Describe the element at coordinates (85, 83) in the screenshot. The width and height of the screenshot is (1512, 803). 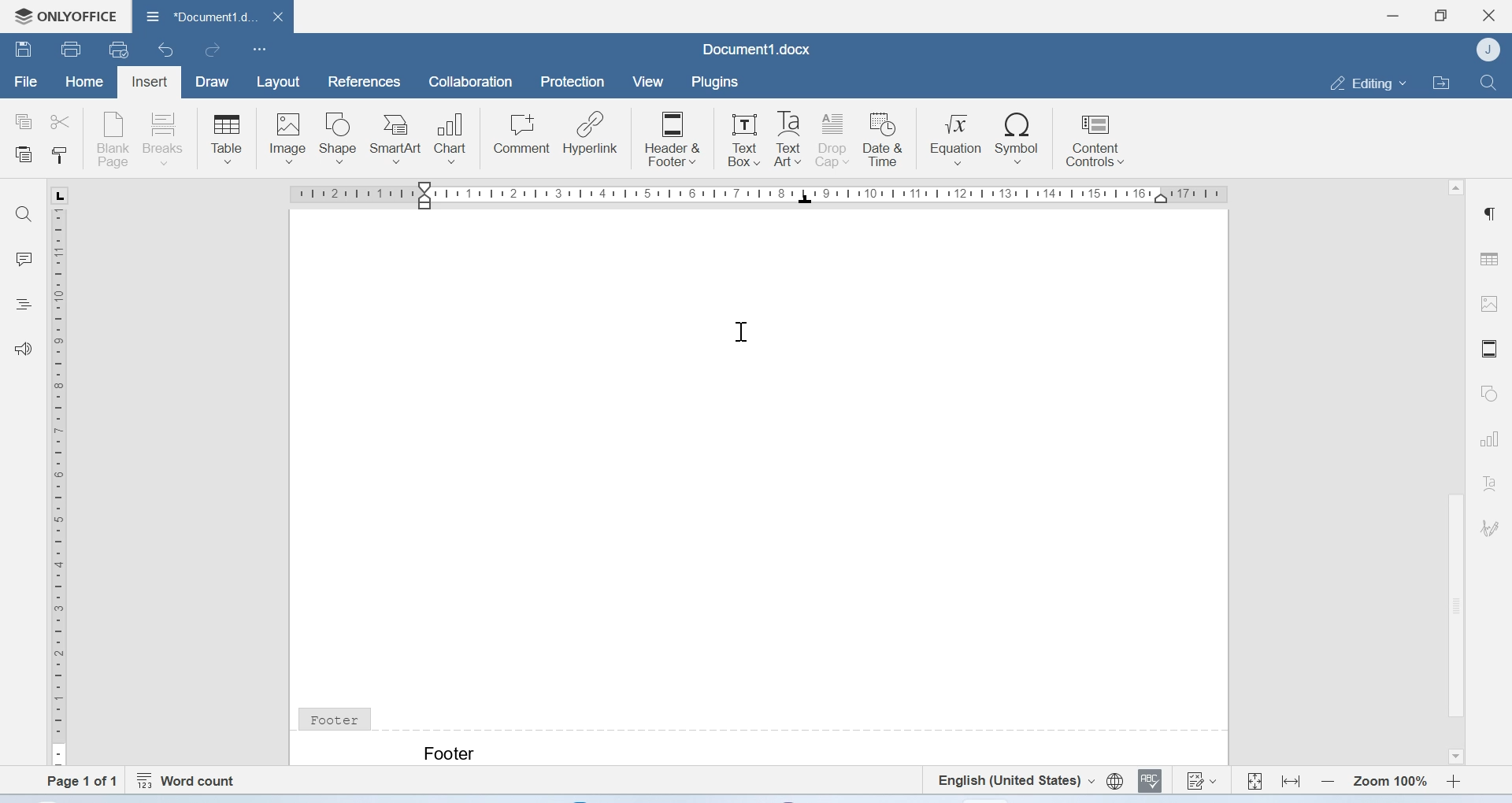
I see `Home` at that location.